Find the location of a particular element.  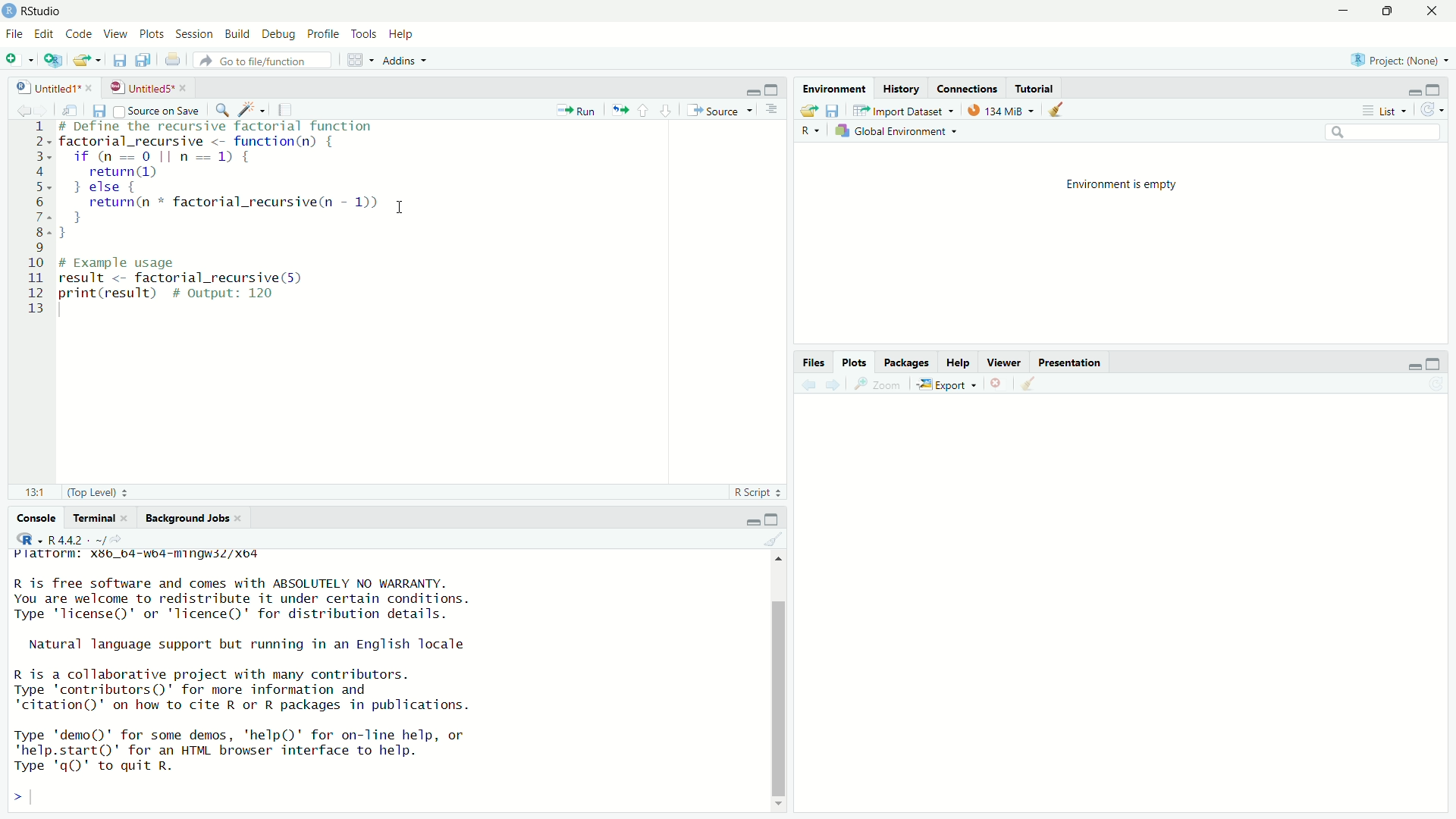

Run the current line or selection (Ctrl + Enter) is located at coordinates (579, 108).